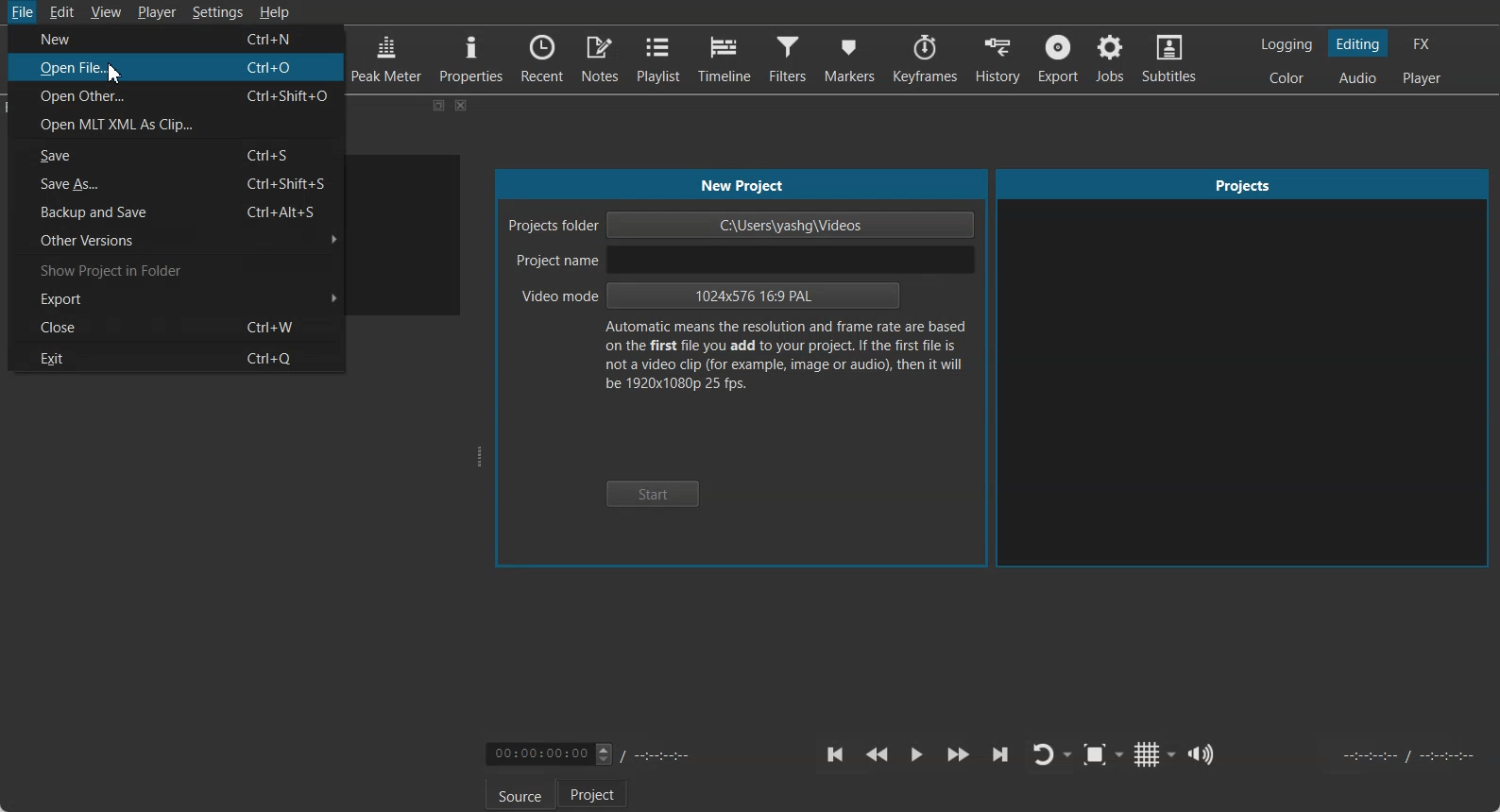  I want to click on Play quickly backward, so click(877, 755).